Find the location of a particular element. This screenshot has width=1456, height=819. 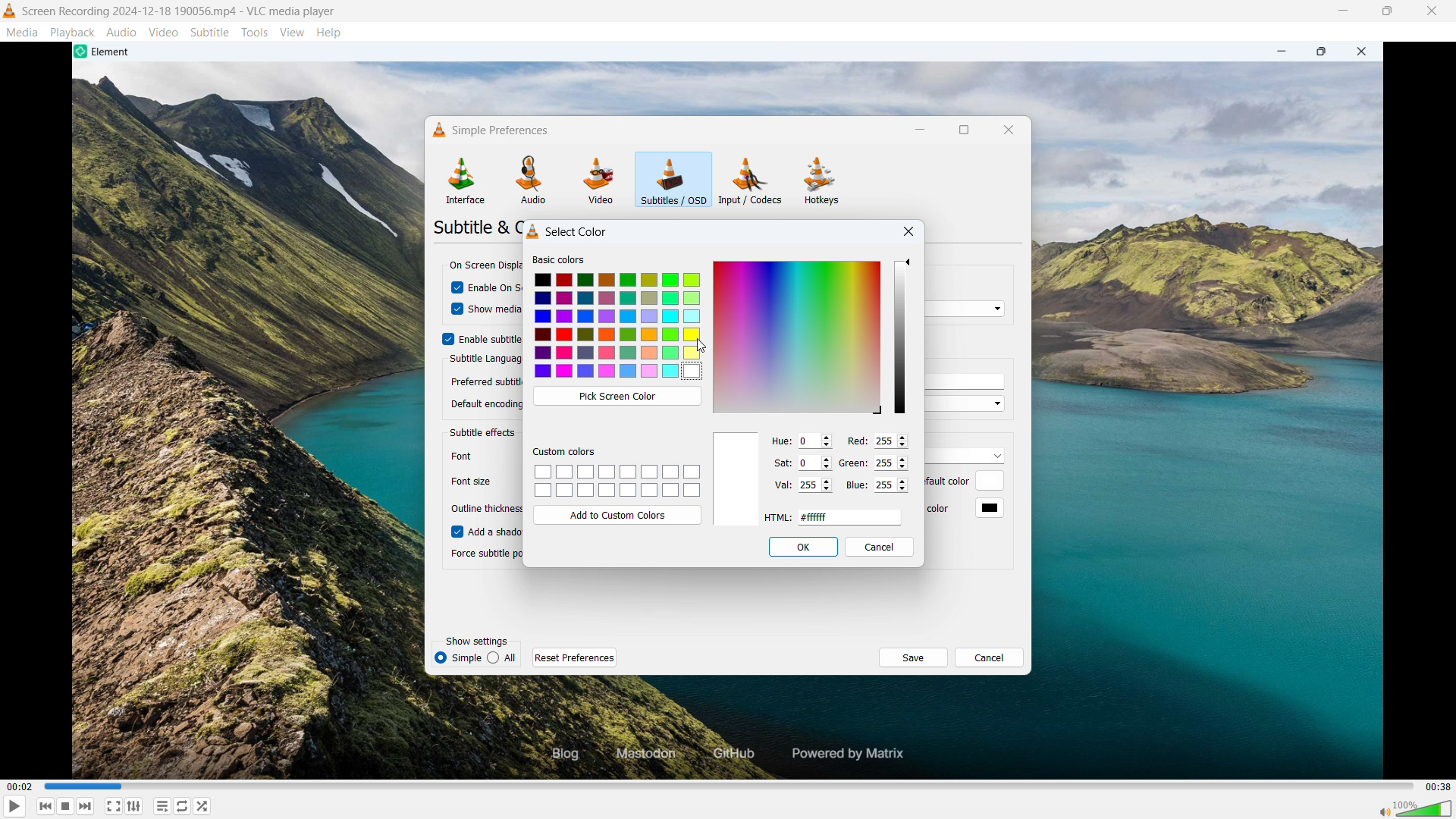

Basic colour  is located at coordinates (558, 259).